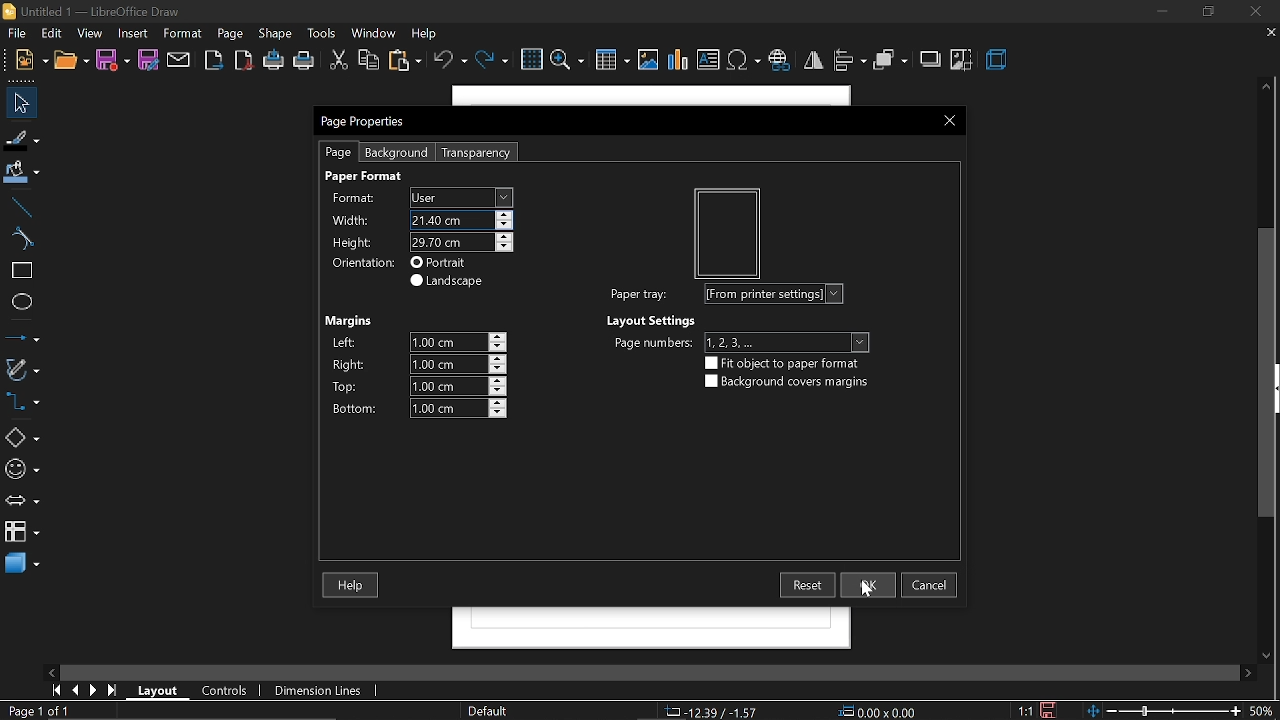 Image resolution: width=1280 pixels, height=720 pixels. What do you see at coordinates (930, 60) in the screenshot?
I see `shadow` at bounding box center [930, 60].